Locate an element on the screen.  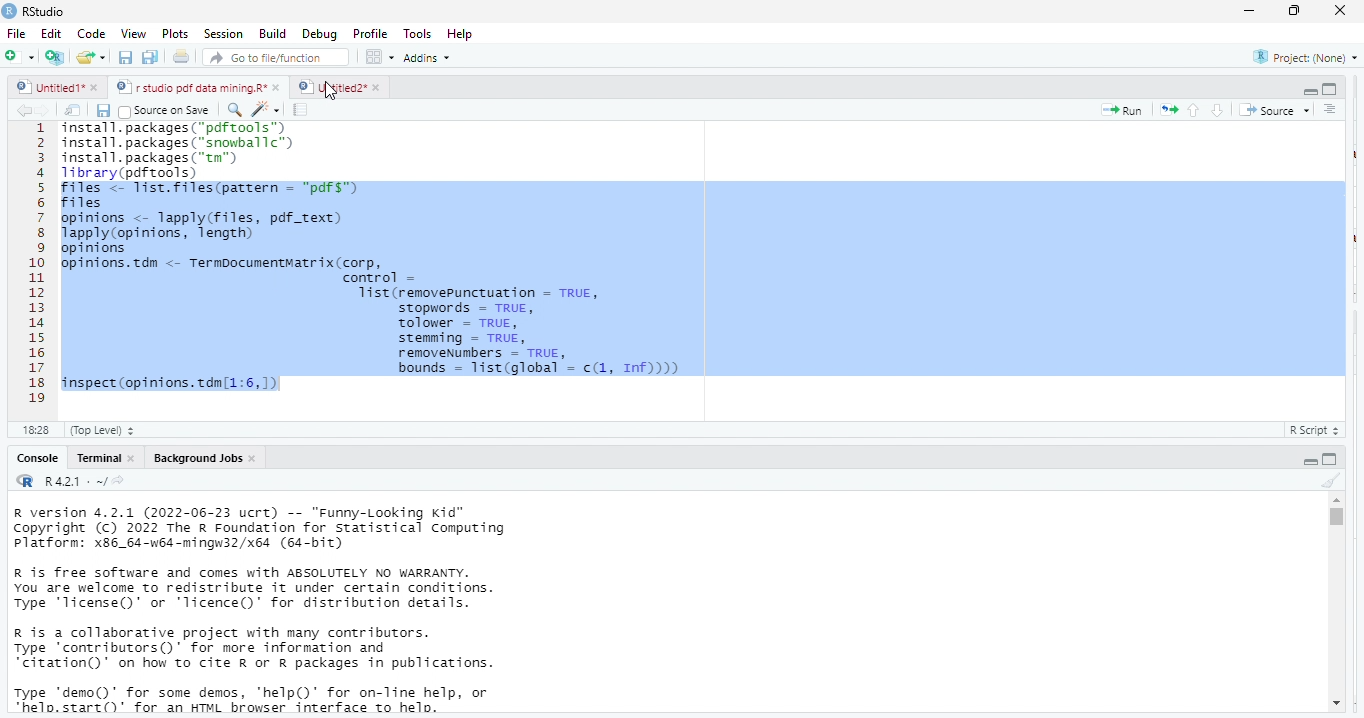
untitled 2 is located at coordinates (330, 86).